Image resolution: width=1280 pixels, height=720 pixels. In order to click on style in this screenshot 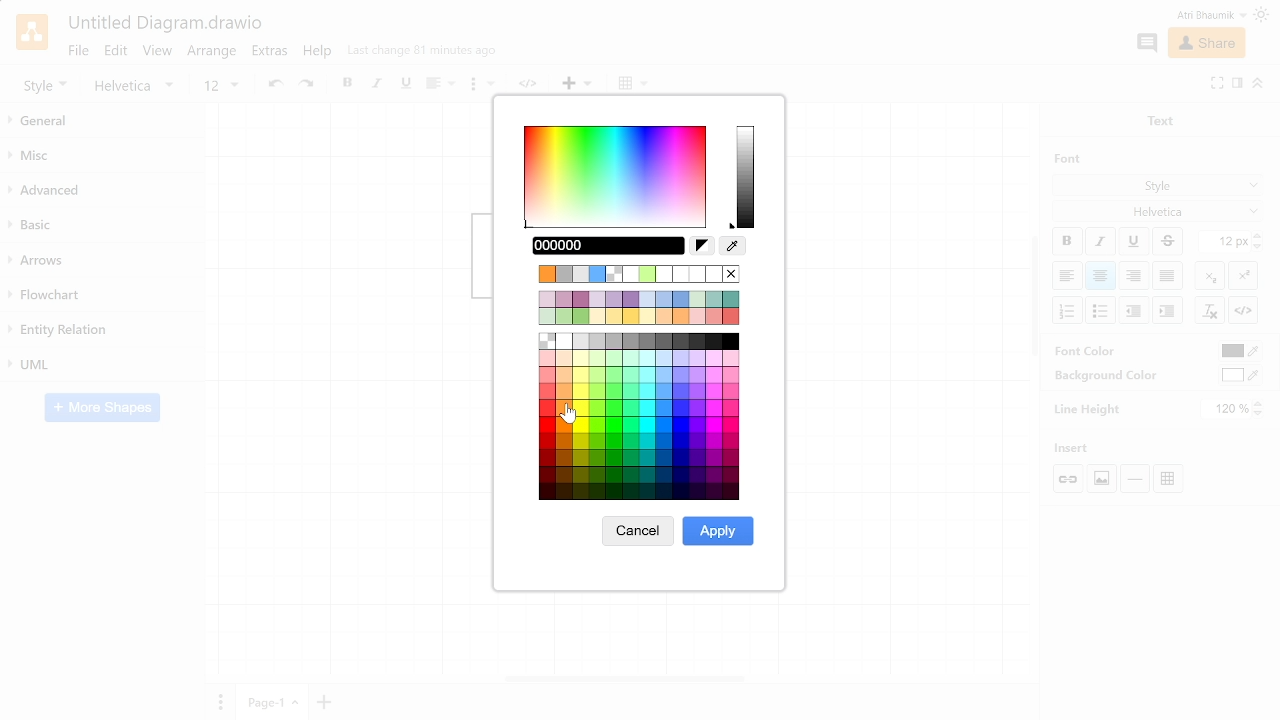, I will do `click(45, 85)`.